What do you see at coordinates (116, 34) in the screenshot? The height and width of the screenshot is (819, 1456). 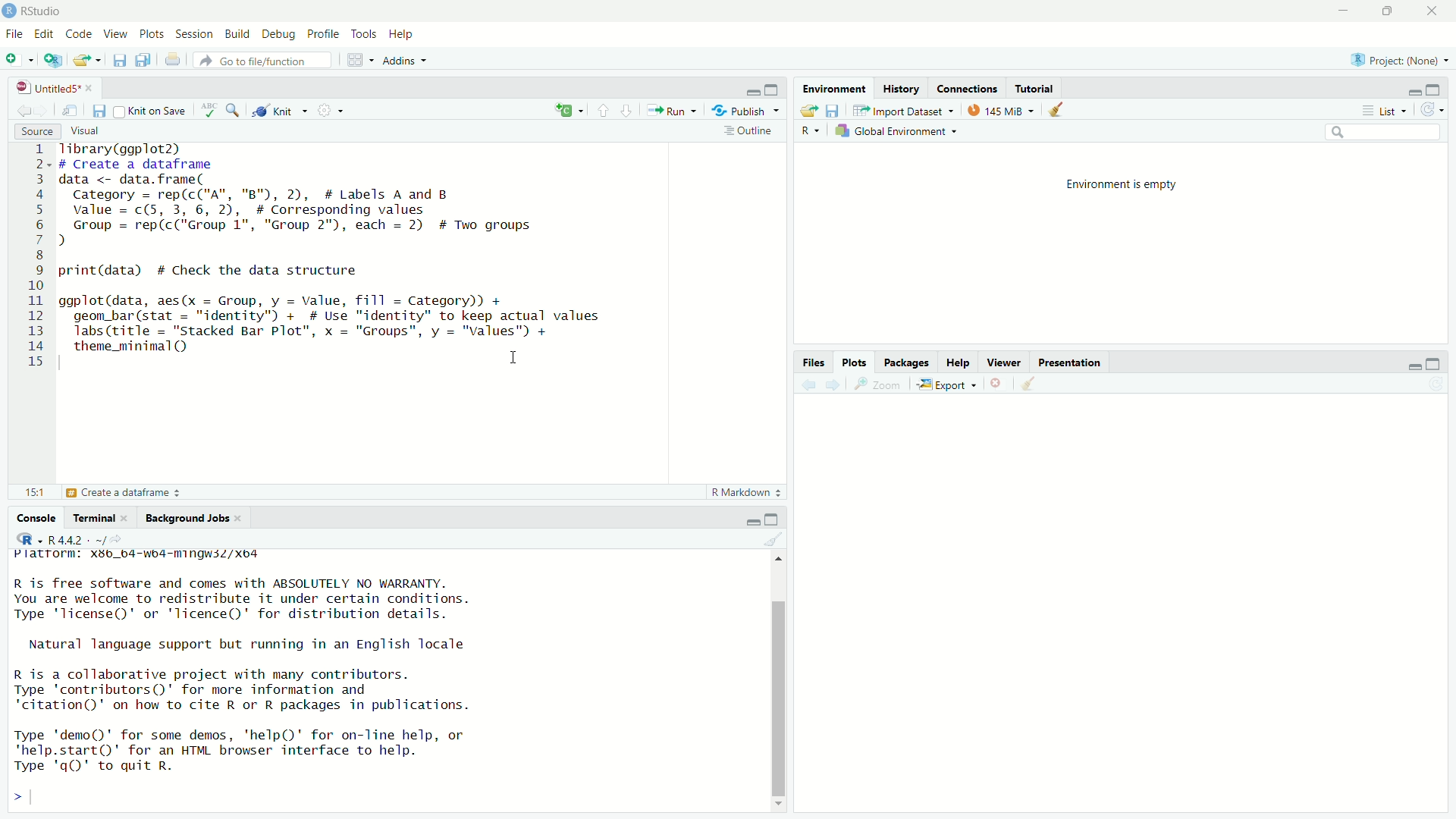 I see `View` at bounding box center [116, 34].